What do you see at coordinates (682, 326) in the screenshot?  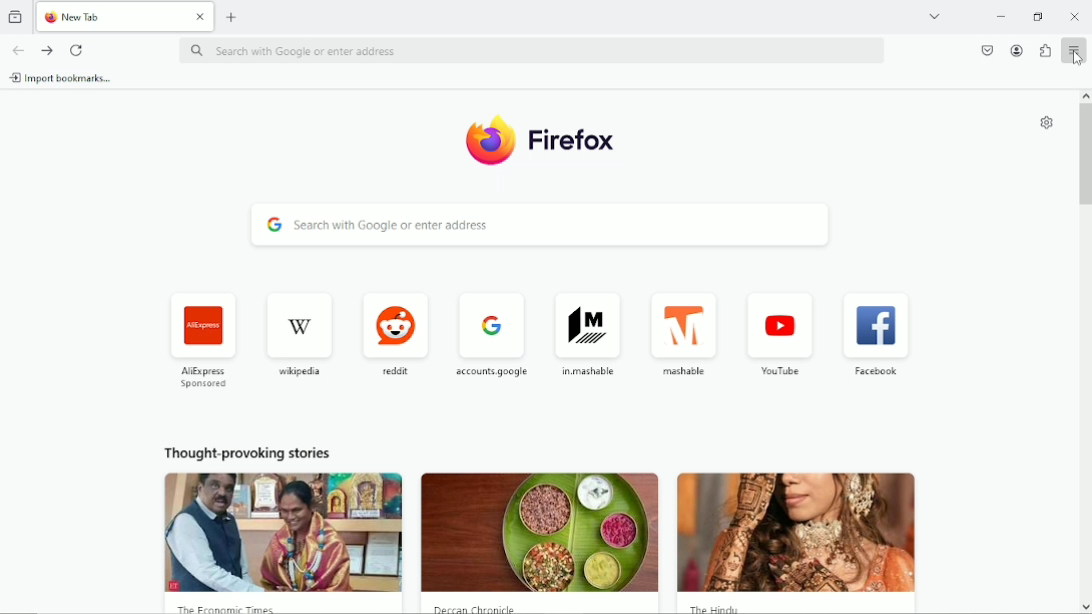 I see `mashable` at bounding box center [682, 326].